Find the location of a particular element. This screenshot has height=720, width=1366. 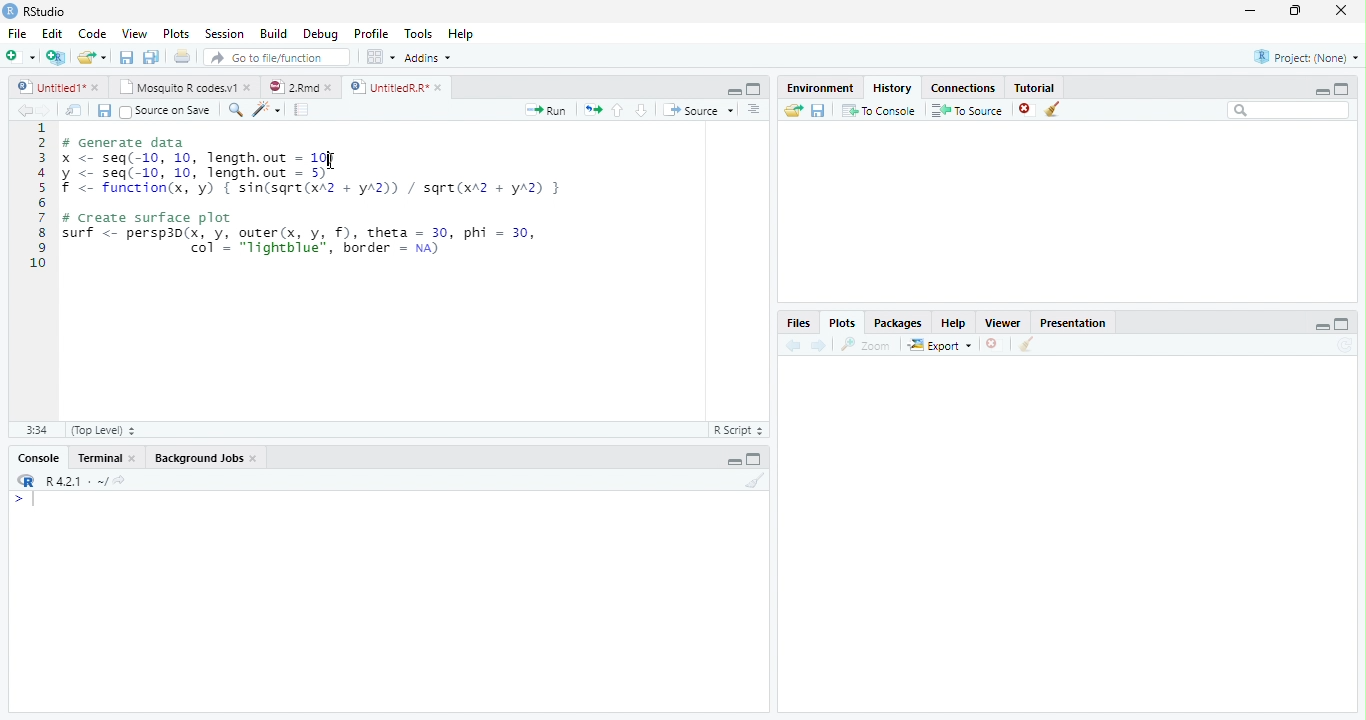

Show document outline is located at coordinates (753, 108).